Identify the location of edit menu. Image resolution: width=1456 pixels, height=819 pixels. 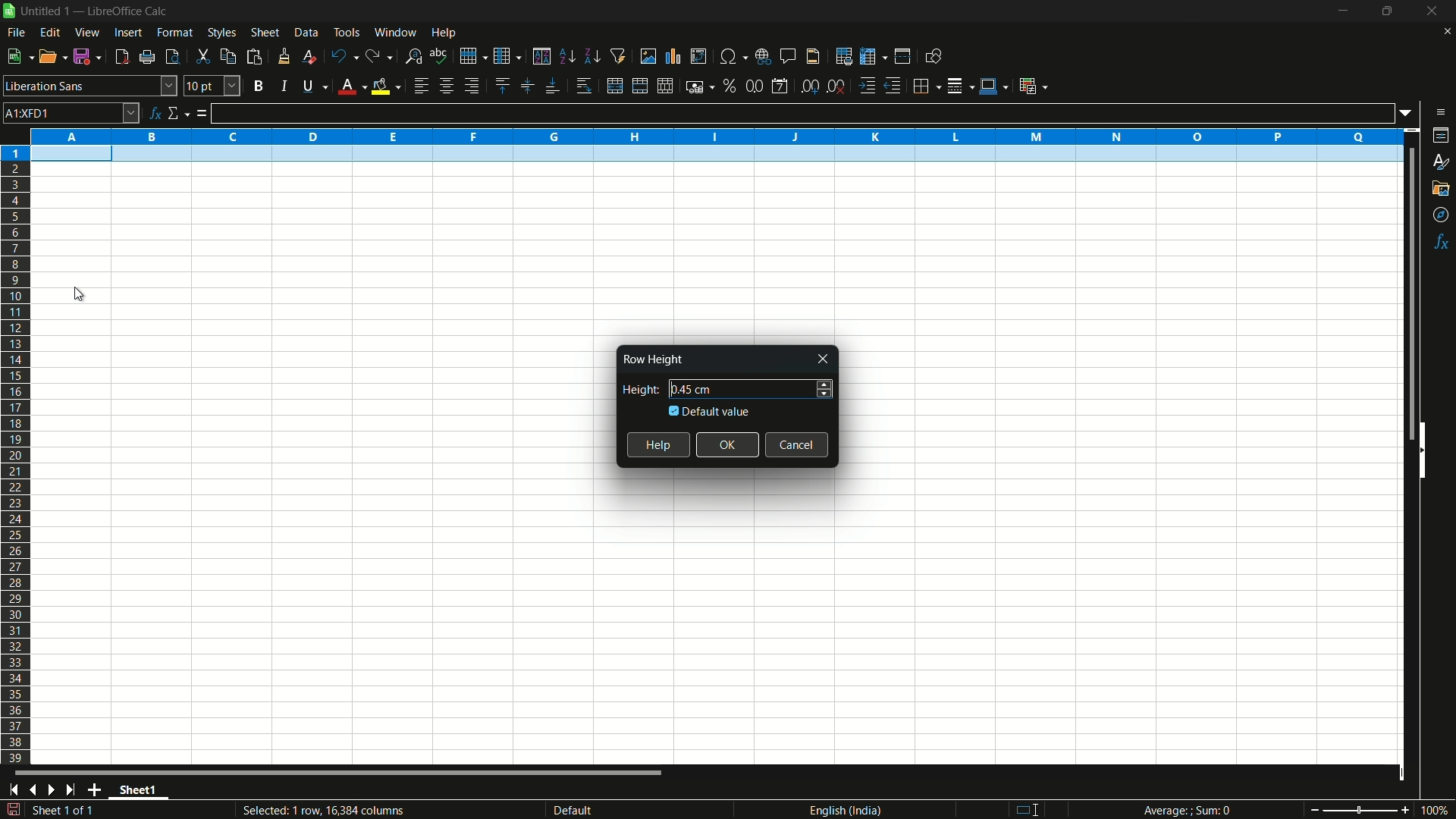
(50, 32).